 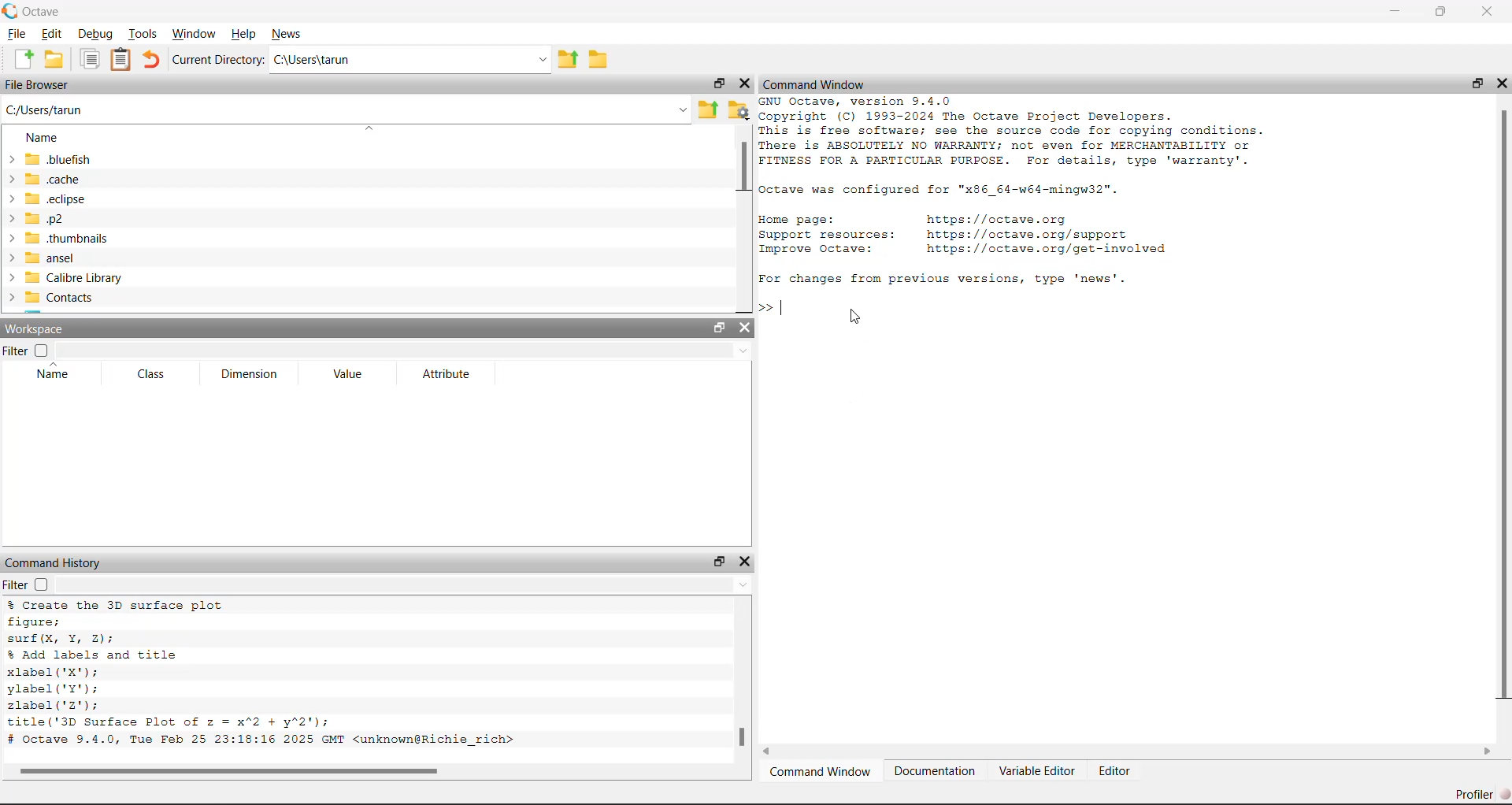 What do you see at coordinates (738, 109) in the screenshot?
I see `Folder Settings` at bounding box center [738, 109].